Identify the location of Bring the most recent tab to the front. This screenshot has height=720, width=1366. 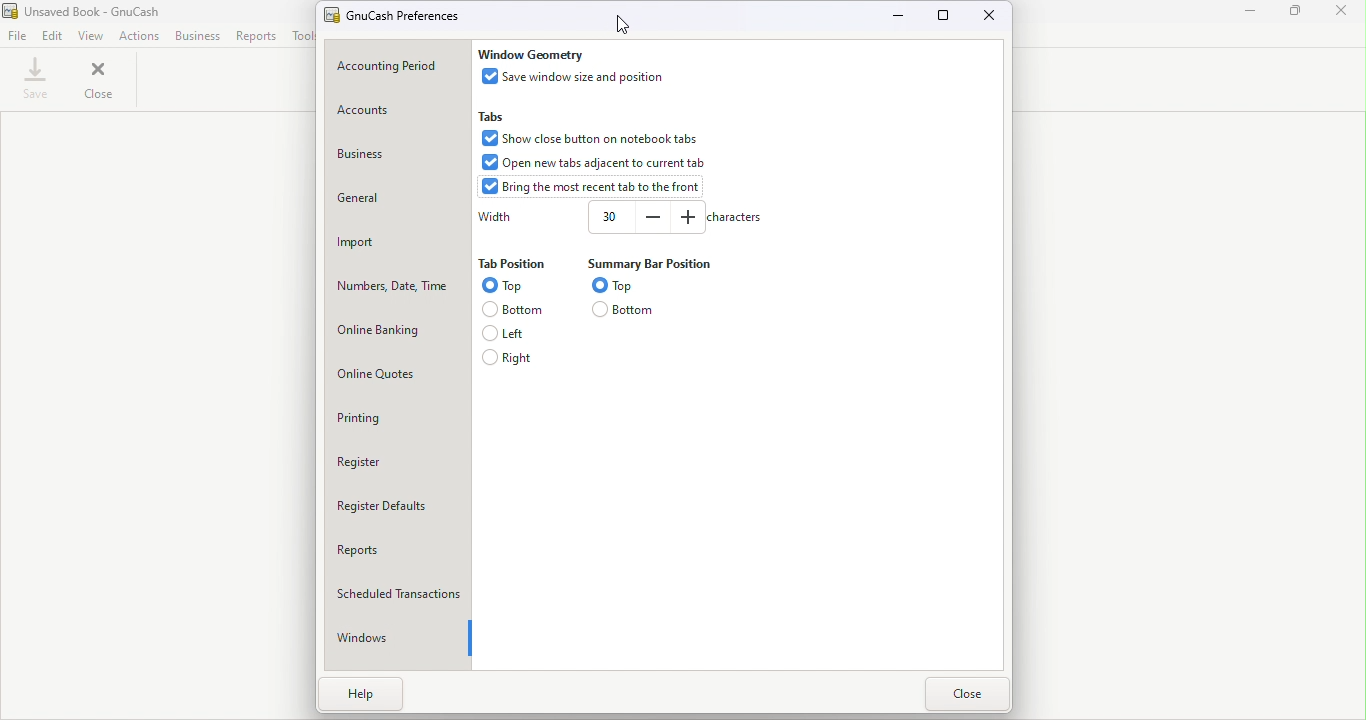
(595, 187).